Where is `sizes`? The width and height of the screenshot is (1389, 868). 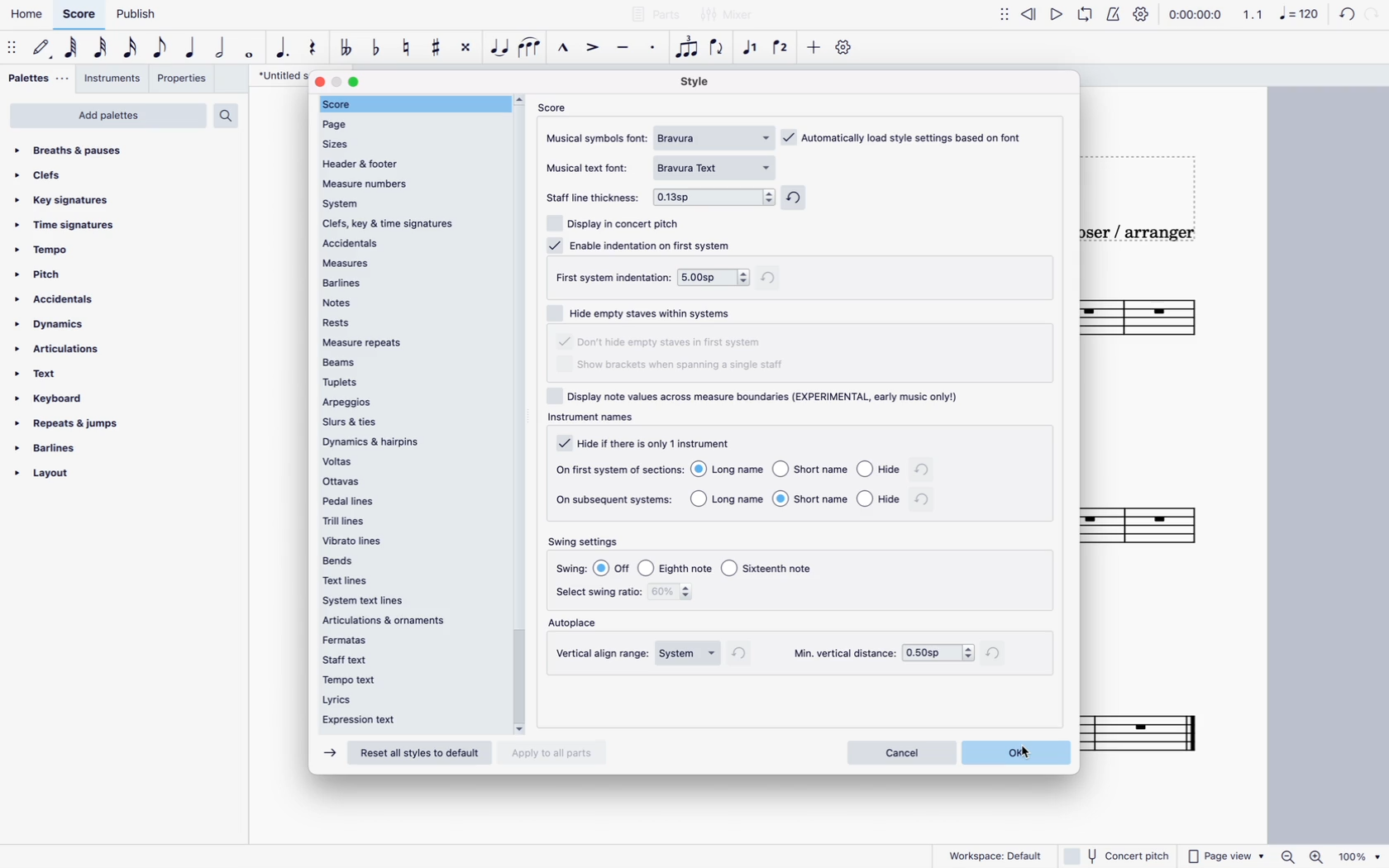 sizes is located at coordinates (406, 141).